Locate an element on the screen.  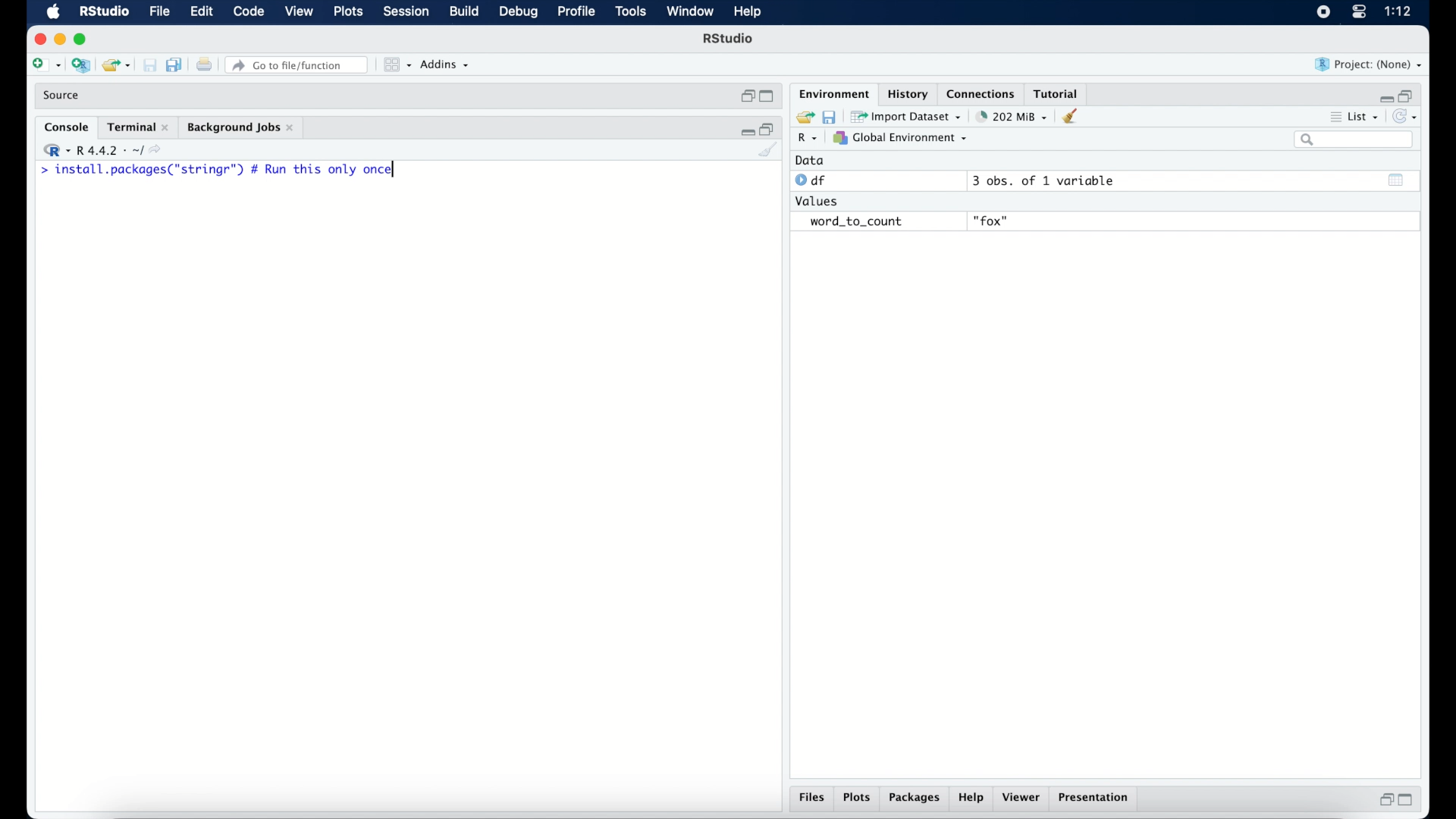
clear console is located at coordinates (769, 151).